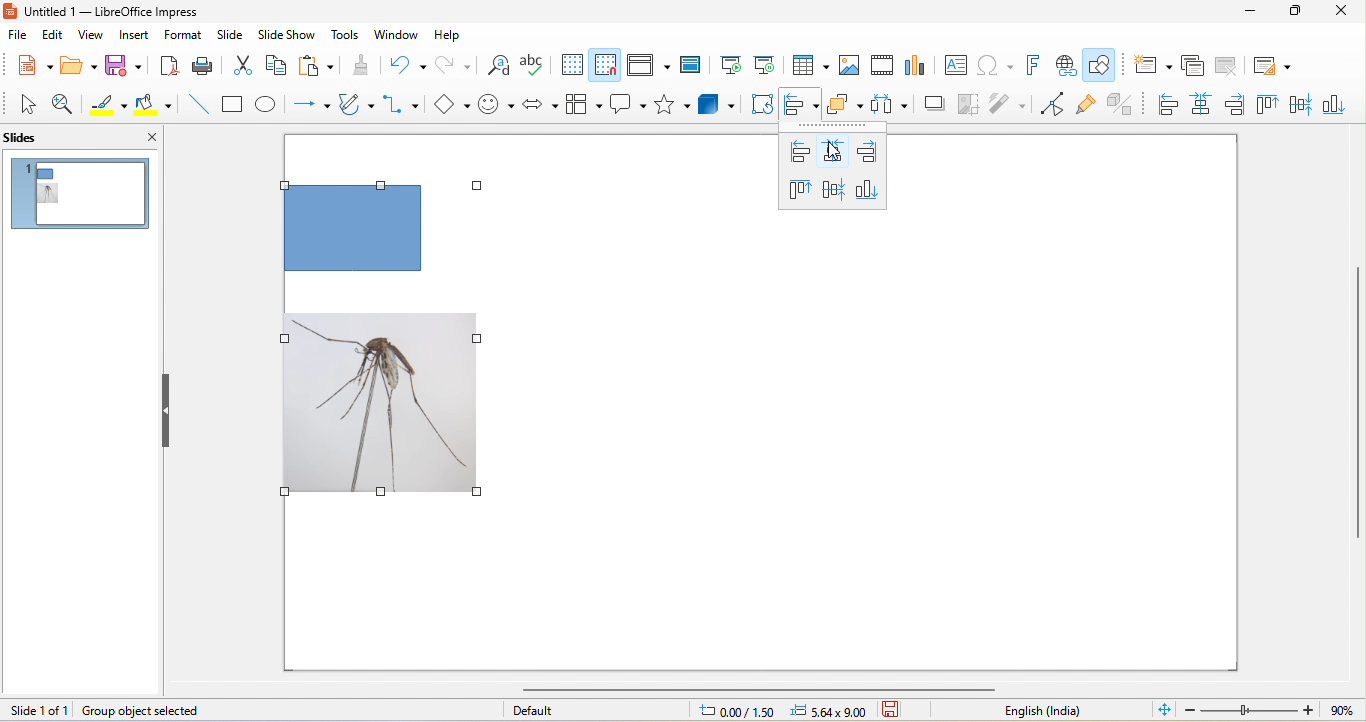  What do you see at coordinates (310, 107) in the screenshot?
I see `lines and arrow` at bounding box center [310, 107].